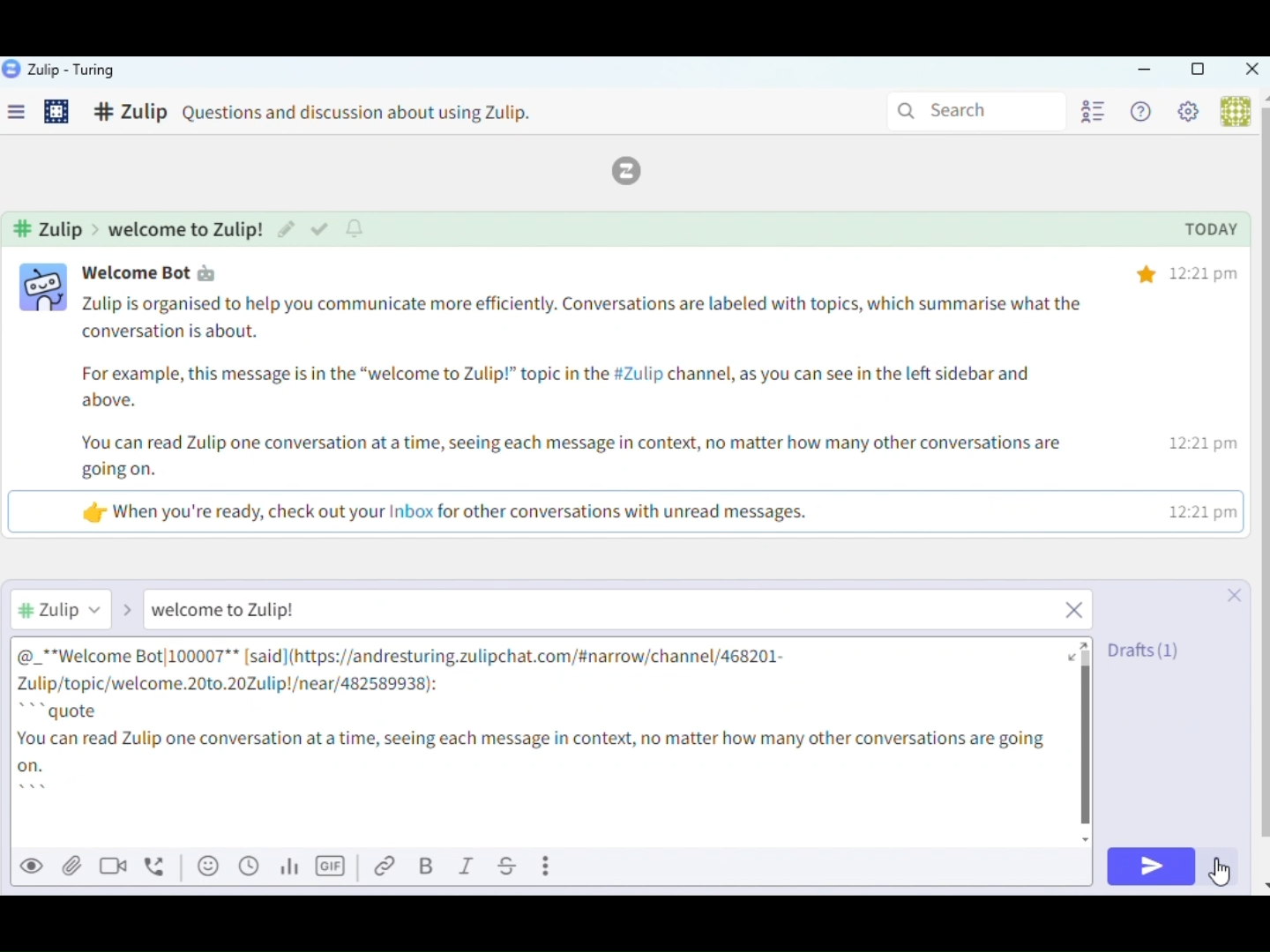  Describe the element at coordinates (1087, 643) in the screenshot. I see `Up` at that location.